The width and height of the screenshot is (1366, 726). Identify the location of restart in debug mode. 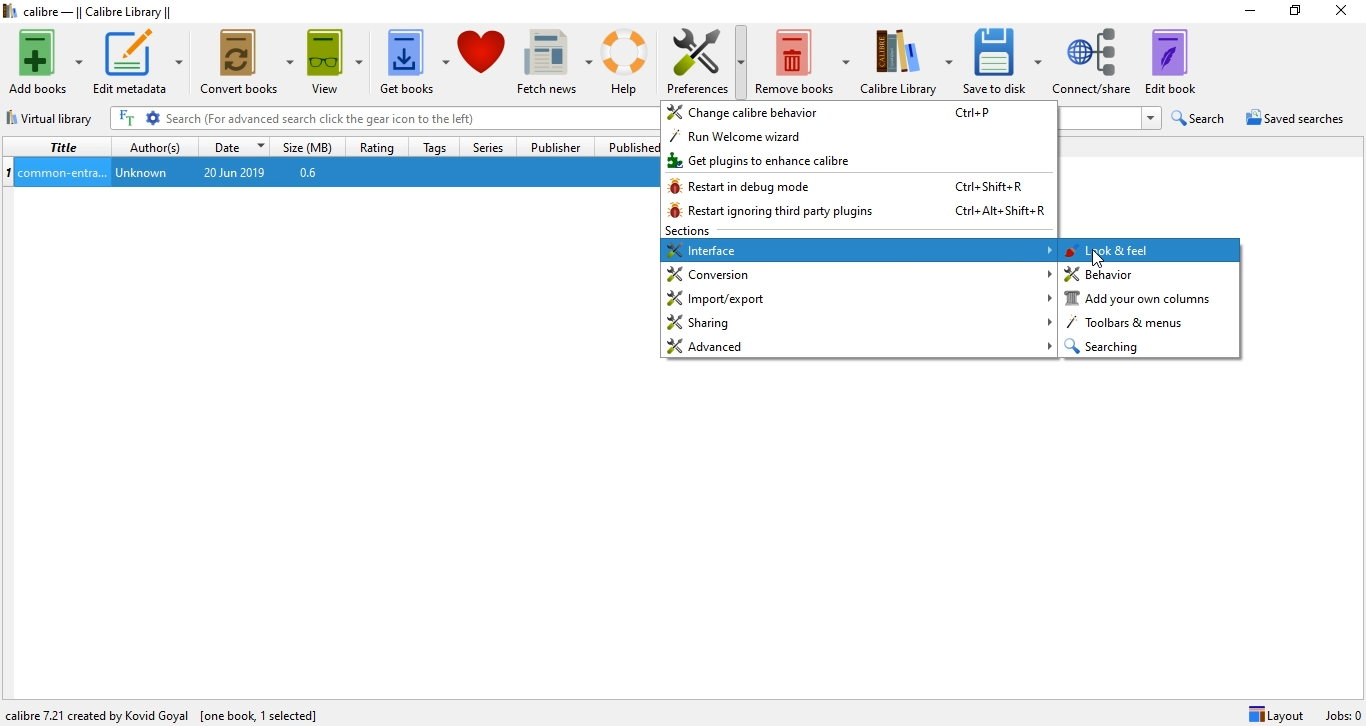
(859, 188).